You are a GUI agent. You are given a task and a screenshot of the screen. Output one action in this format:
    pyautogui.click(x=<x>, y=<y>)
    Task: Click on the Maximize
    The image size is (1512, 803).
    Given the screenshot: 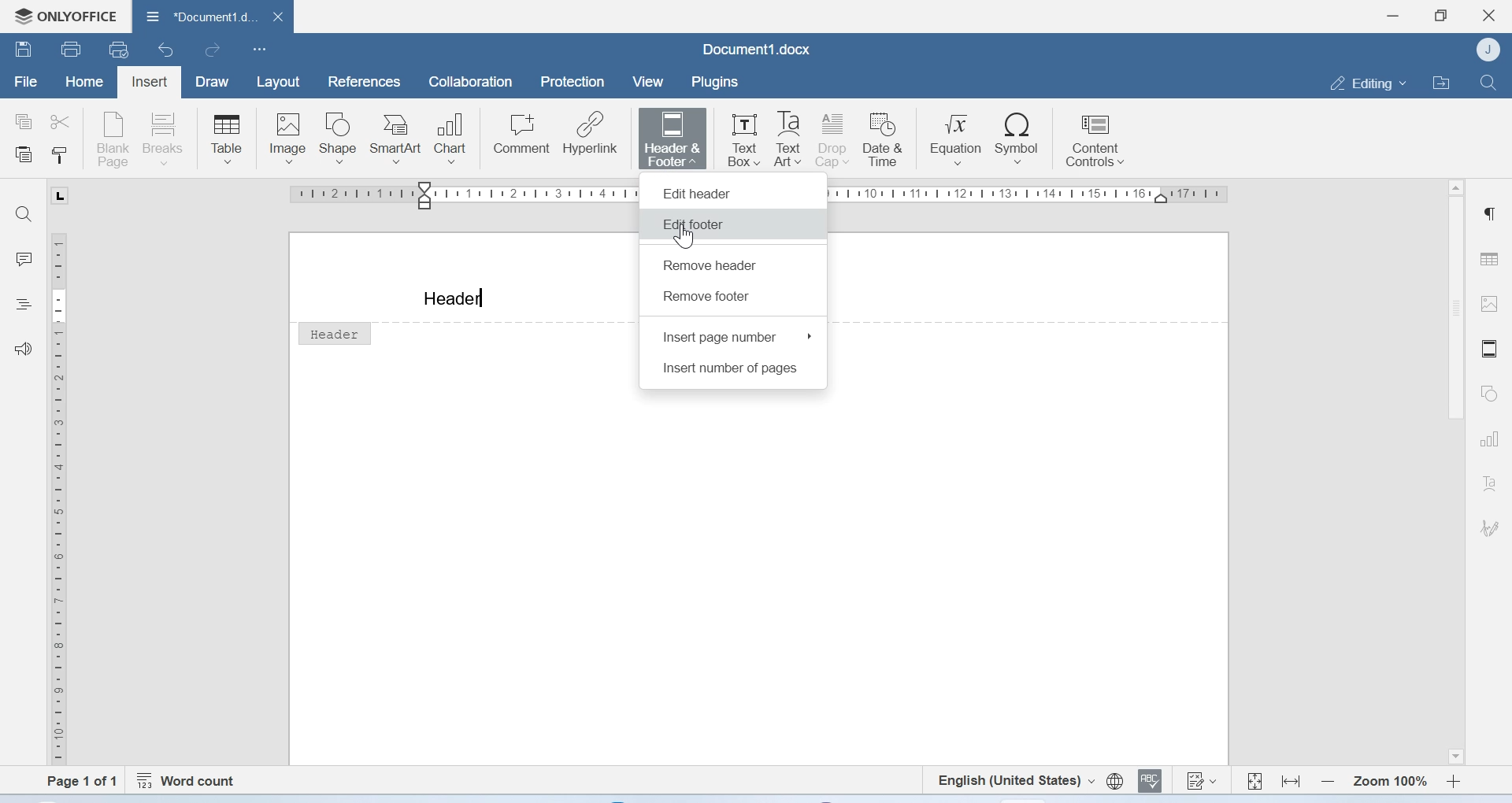 What is the action you would take?
    pyautogui.click(x=1442, y=14)
    